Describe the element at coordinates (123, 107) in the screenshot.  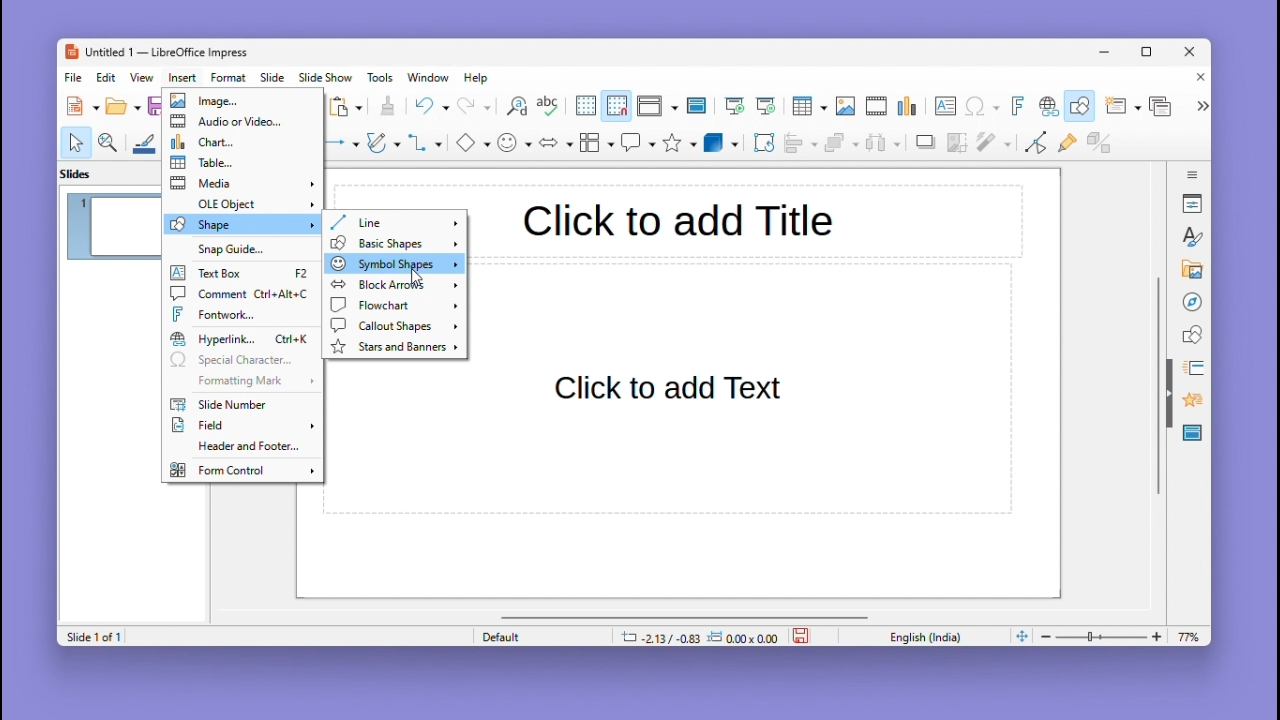
I see `Open` at that location.